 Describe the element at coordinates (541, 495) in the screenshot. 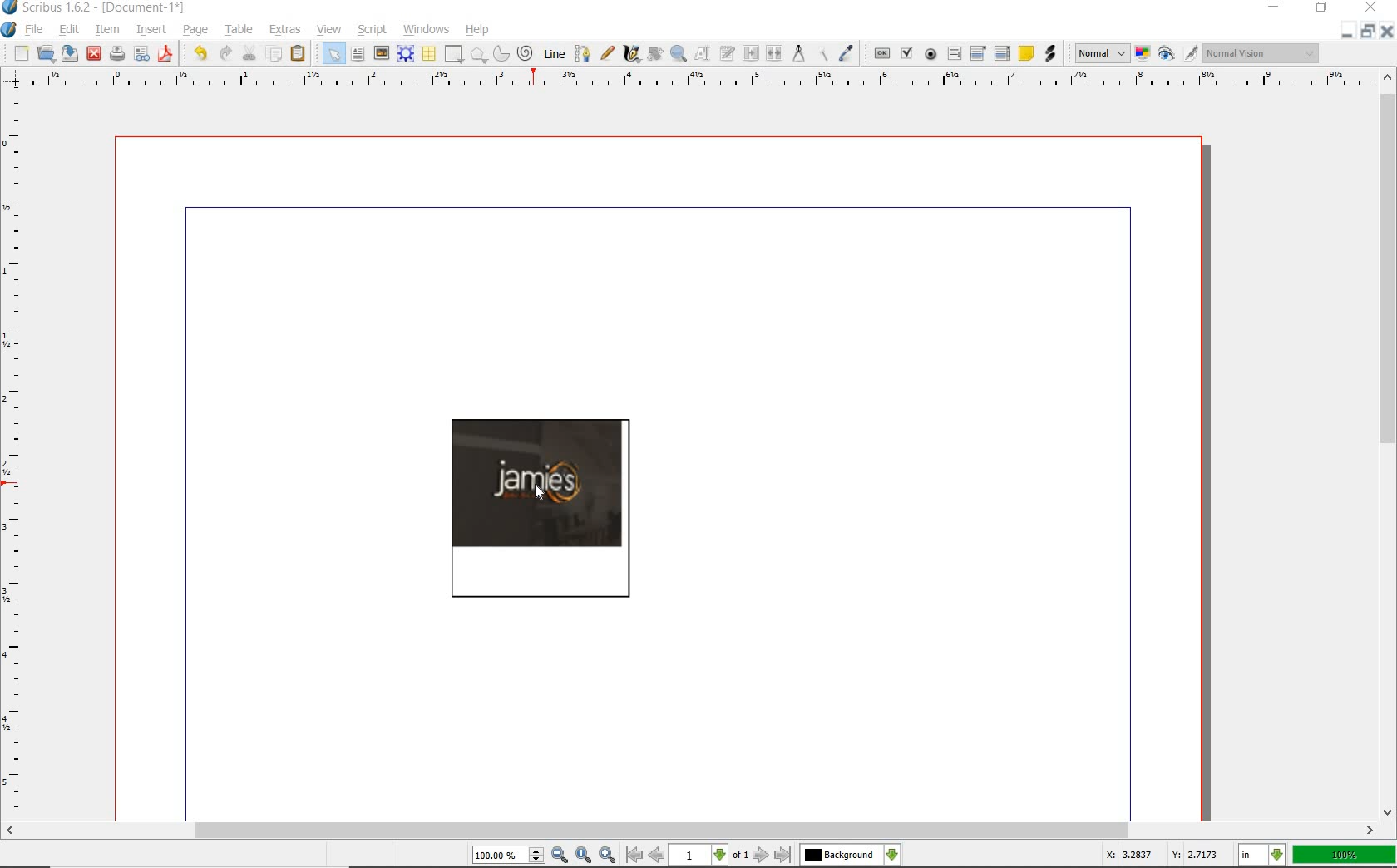

I see `cursor` at that location.